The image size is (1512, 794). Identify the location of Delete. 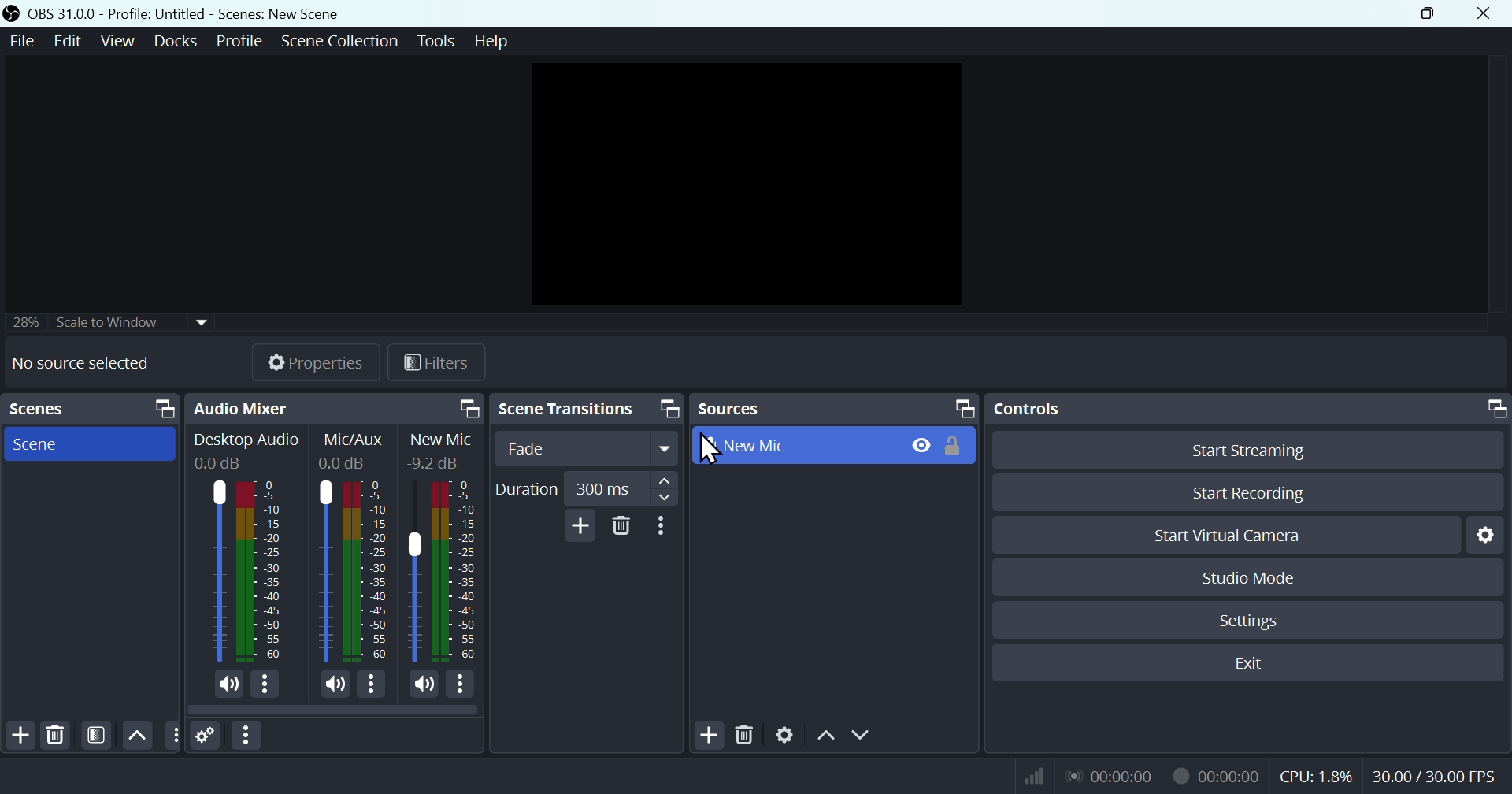
(621, 529).